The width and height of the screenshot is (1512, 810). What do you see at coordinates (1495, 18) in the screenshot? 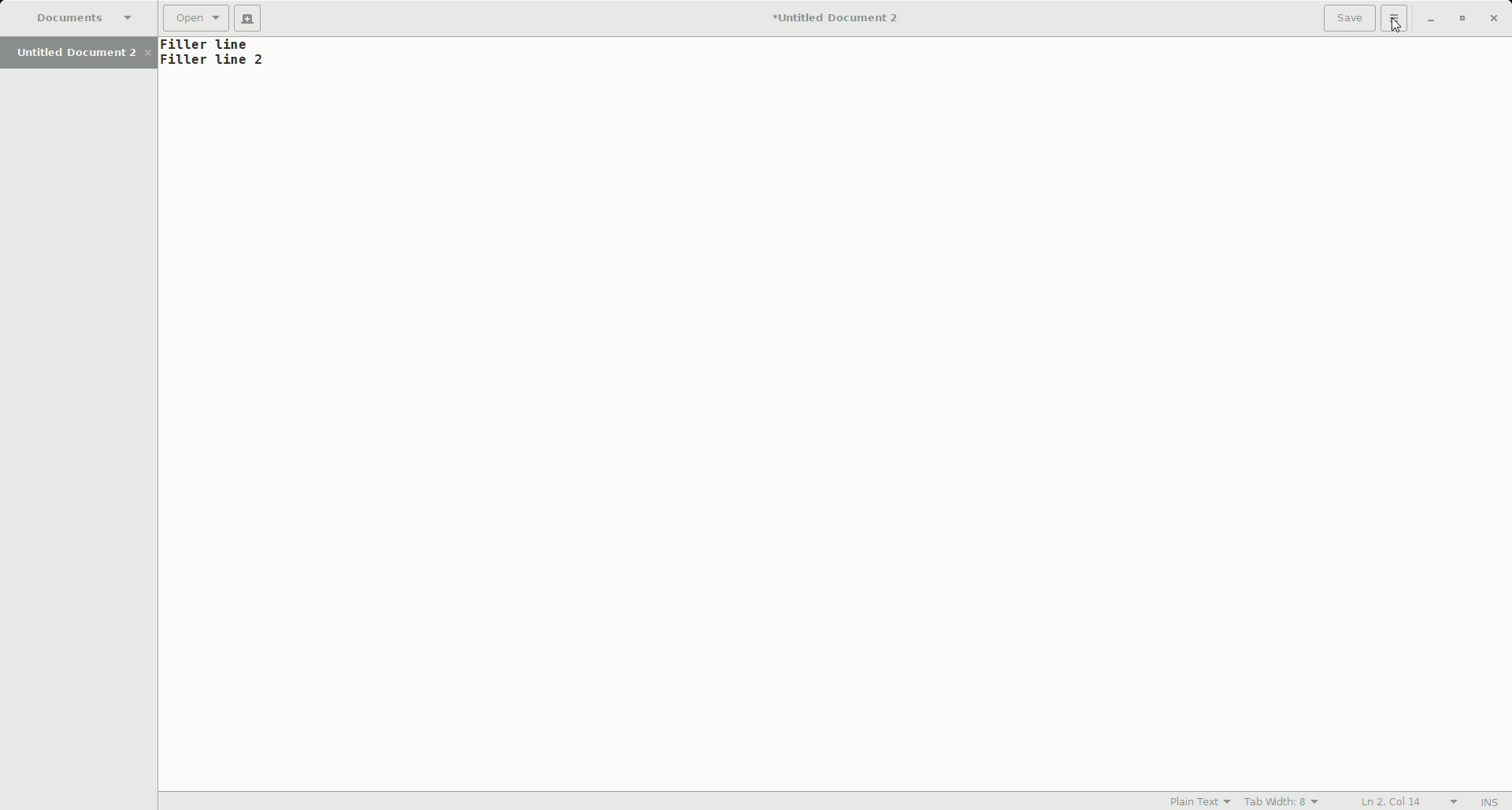
I see `Close` at bounding box center [1495, 18].